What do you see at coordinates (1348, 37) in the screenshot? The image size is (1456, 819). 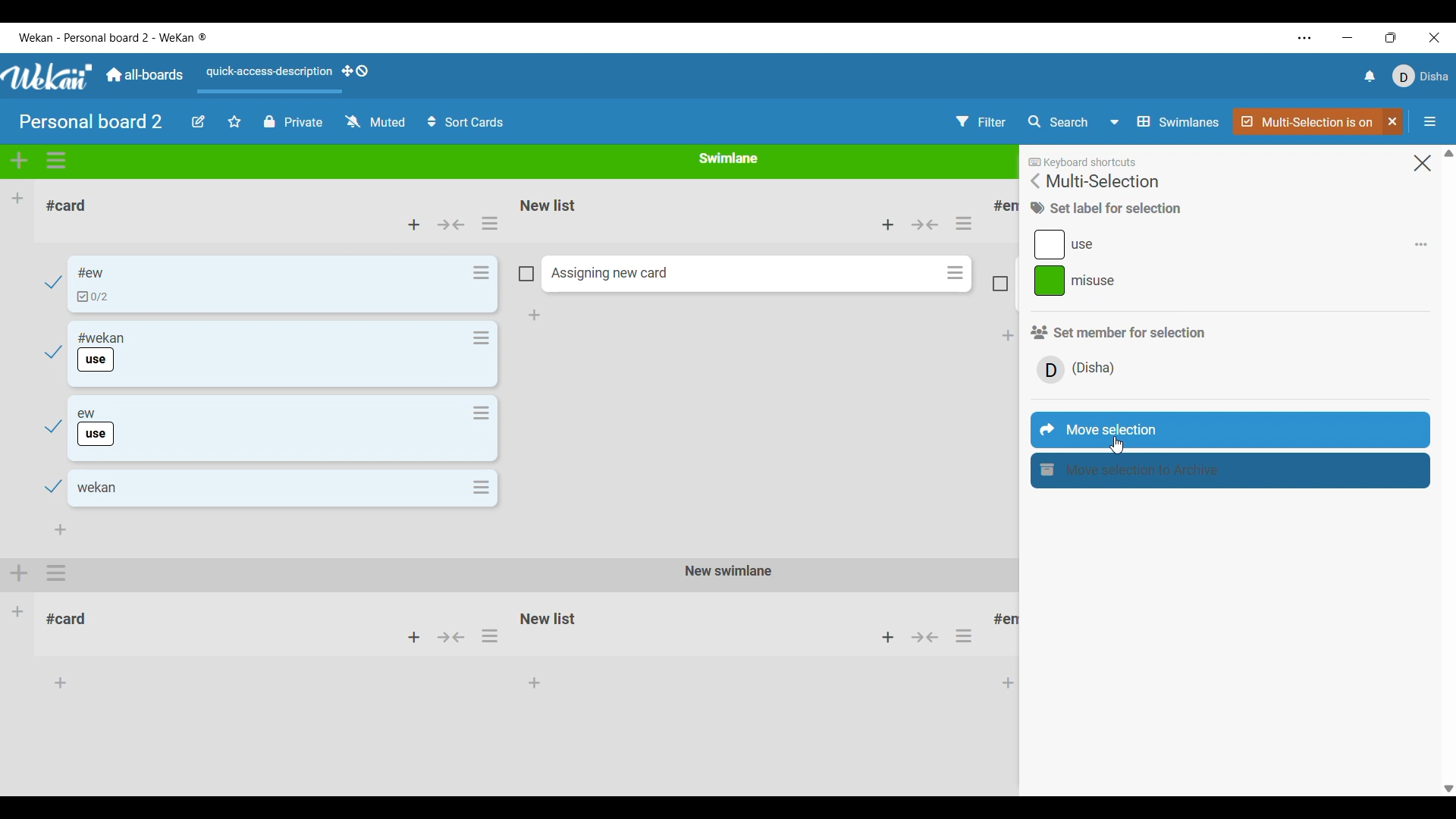 I see `Minimize` at bounding box center [1348, 37].